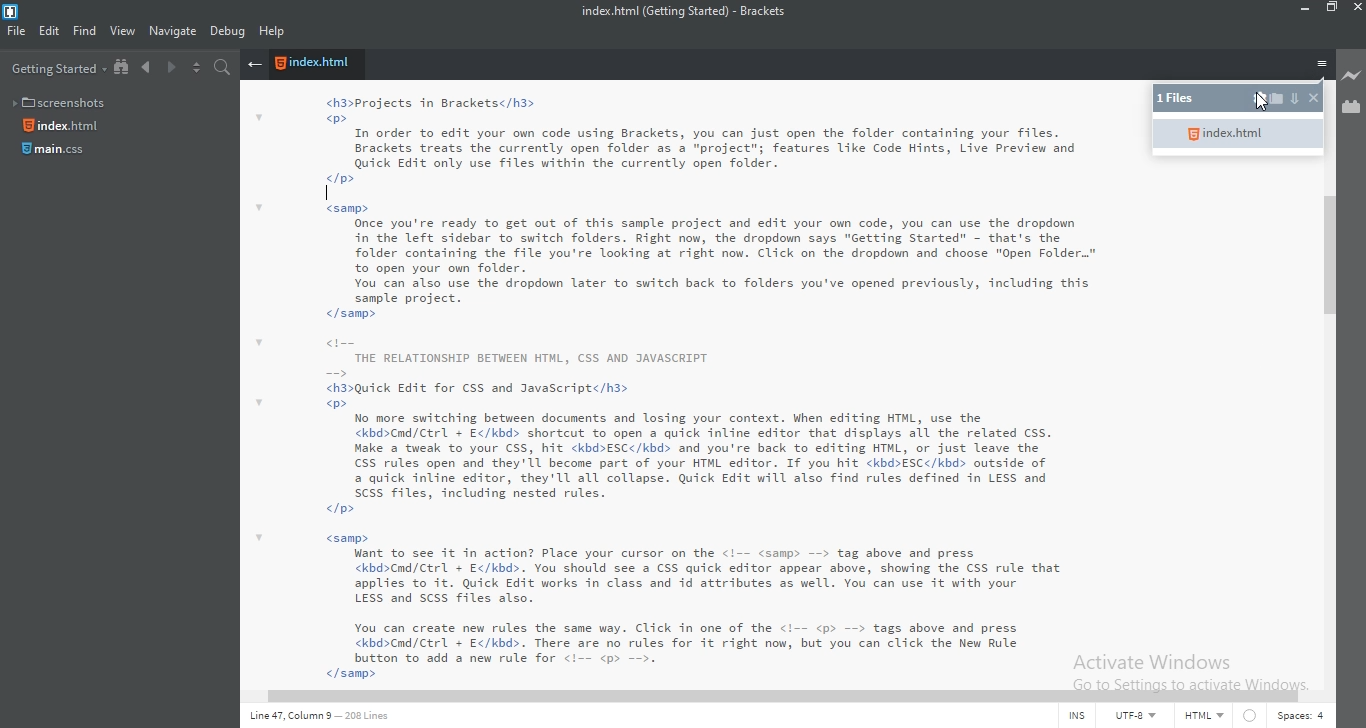 The image size is (1366, 728). What do you see at coordinates (63, 100) in the screenshot?
I see `Screenshots` at bounding box center [63, 100].